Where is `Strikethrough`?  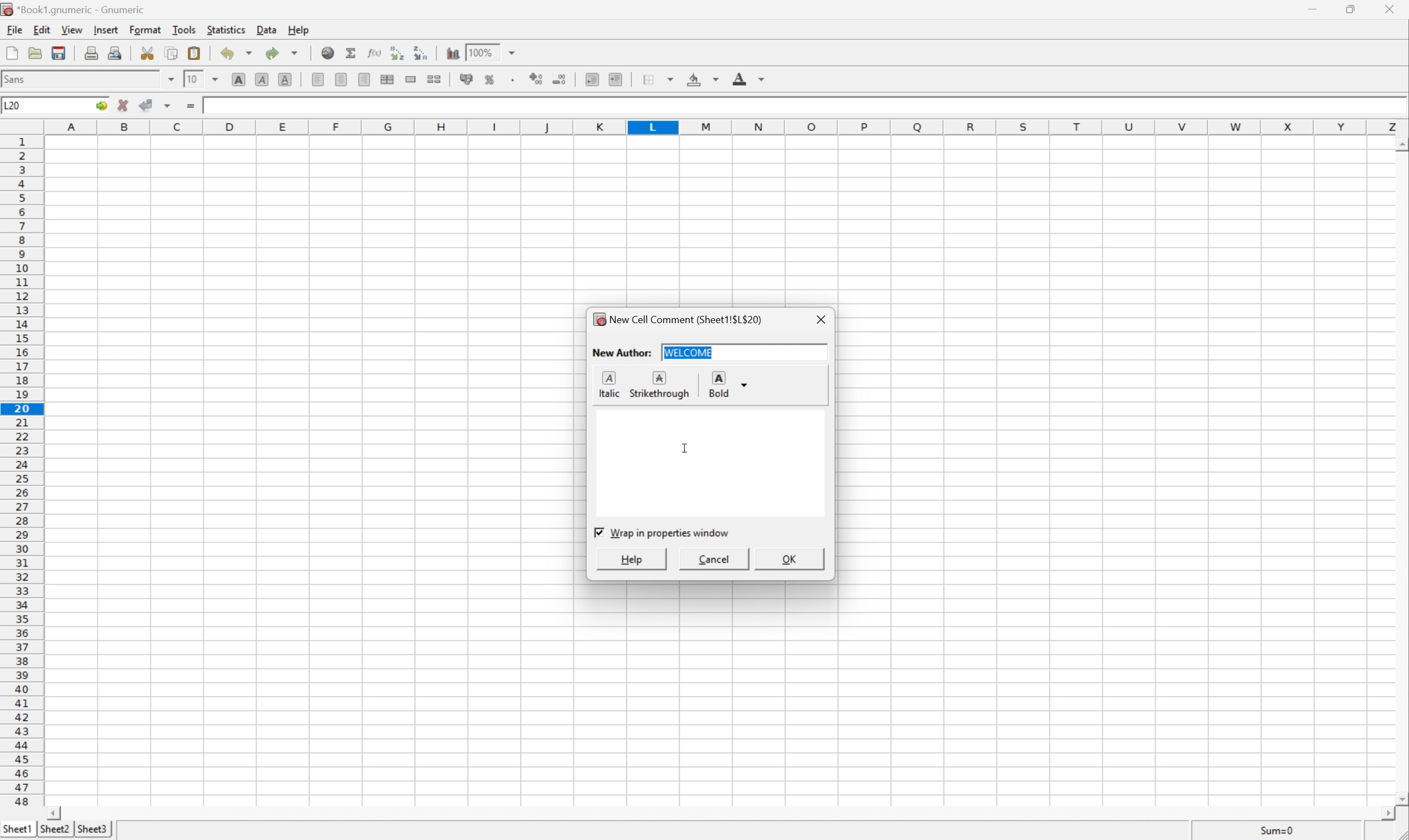 Strikethrough is located at coordinates (660, 384).